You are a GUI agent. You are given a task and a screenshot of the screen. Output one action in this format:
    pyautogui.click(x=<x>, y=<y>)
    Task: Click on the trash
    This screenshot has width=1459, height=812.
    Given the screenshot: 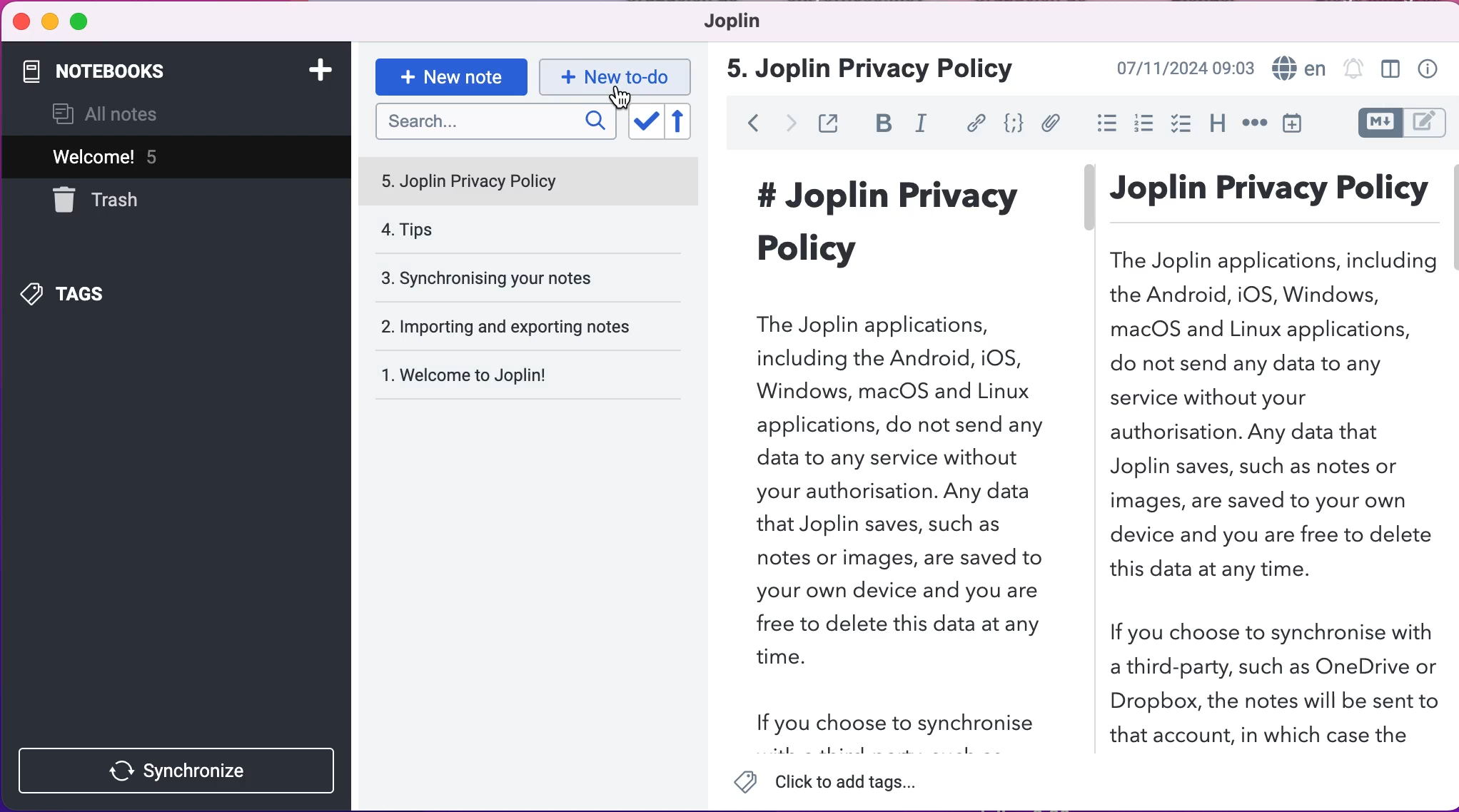 What is the action you would take?
    pyautogui.click(x=131, y=200)
    